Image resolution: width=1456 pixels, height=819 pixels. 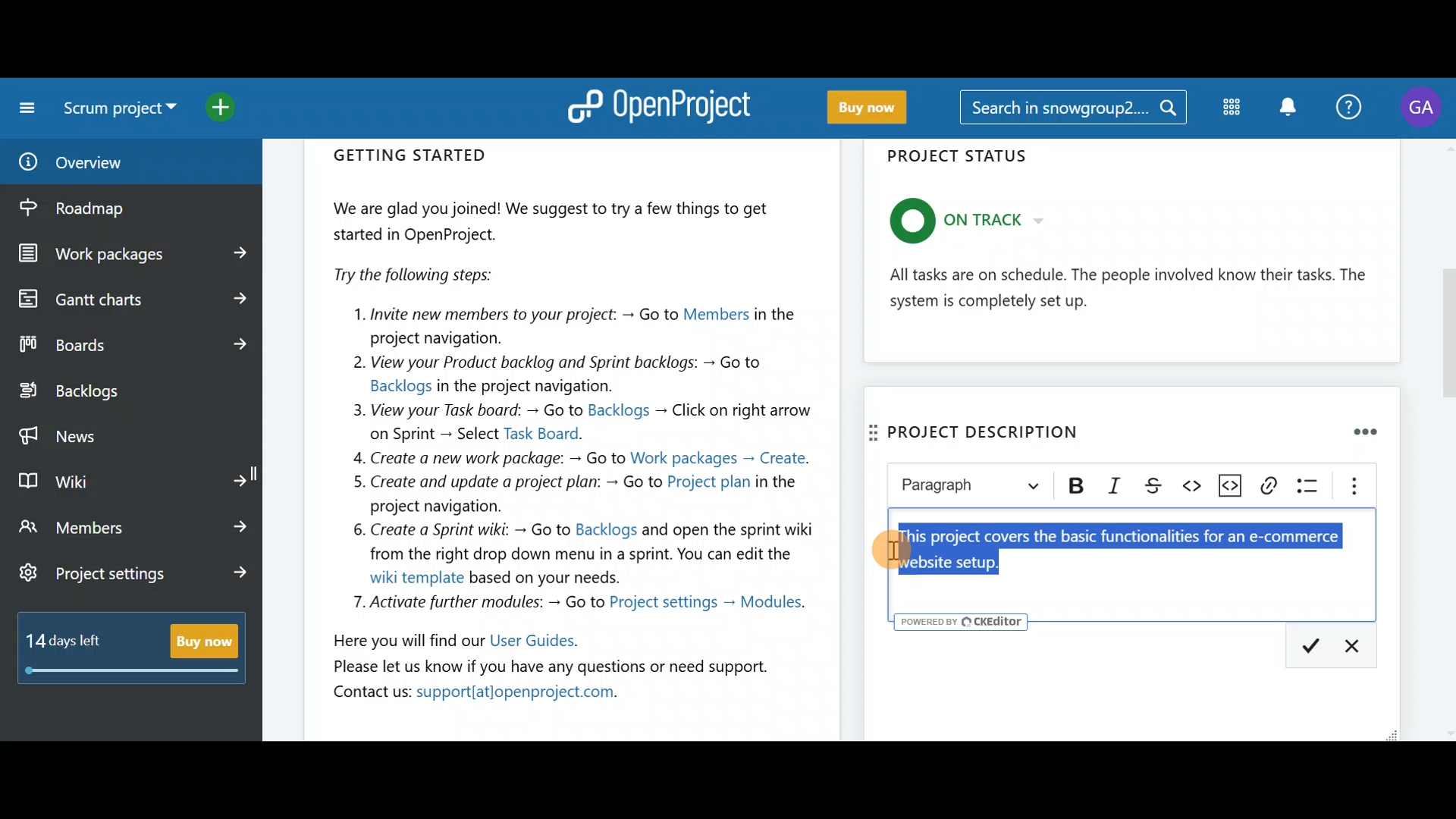 I want to click on Backlogs, so click(x=118, y=392).